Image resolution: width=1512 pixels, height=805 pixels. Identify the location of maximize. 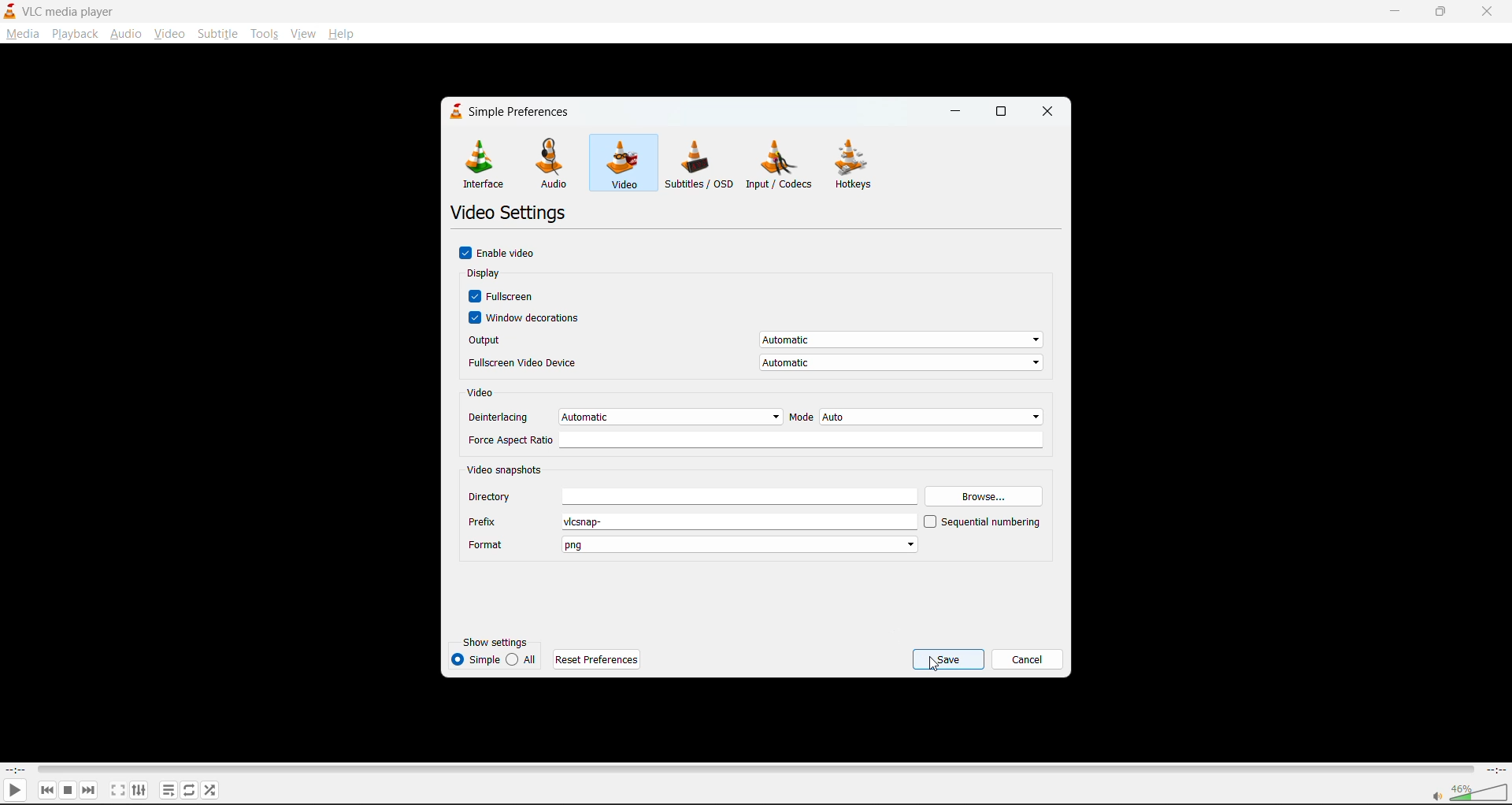
(1002, 109).